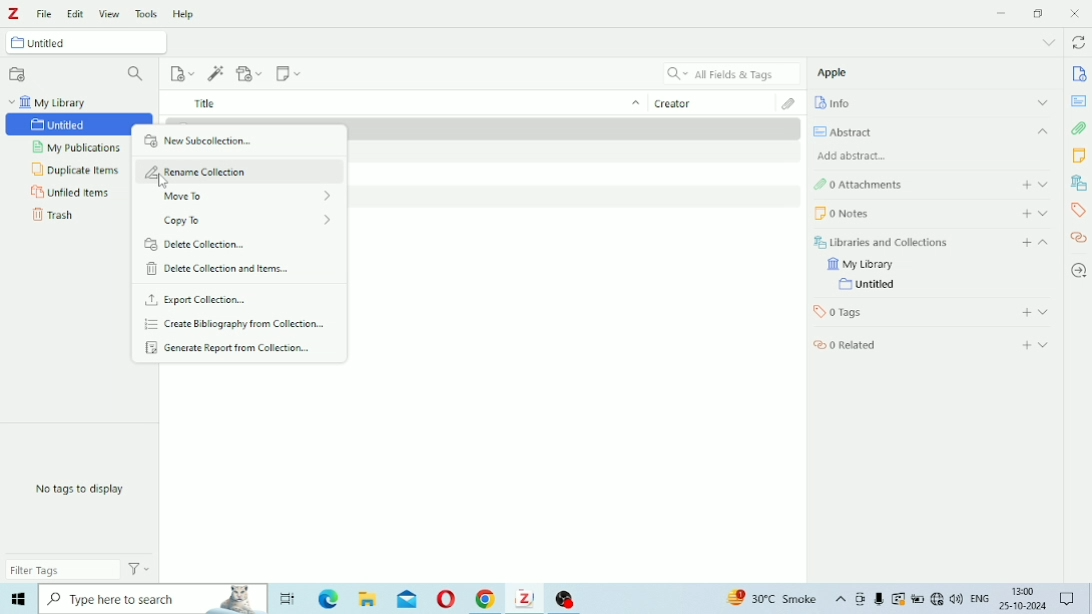  Describe the element at coordinates (840, 214) in the screenshot. I see `Notes` at that location.